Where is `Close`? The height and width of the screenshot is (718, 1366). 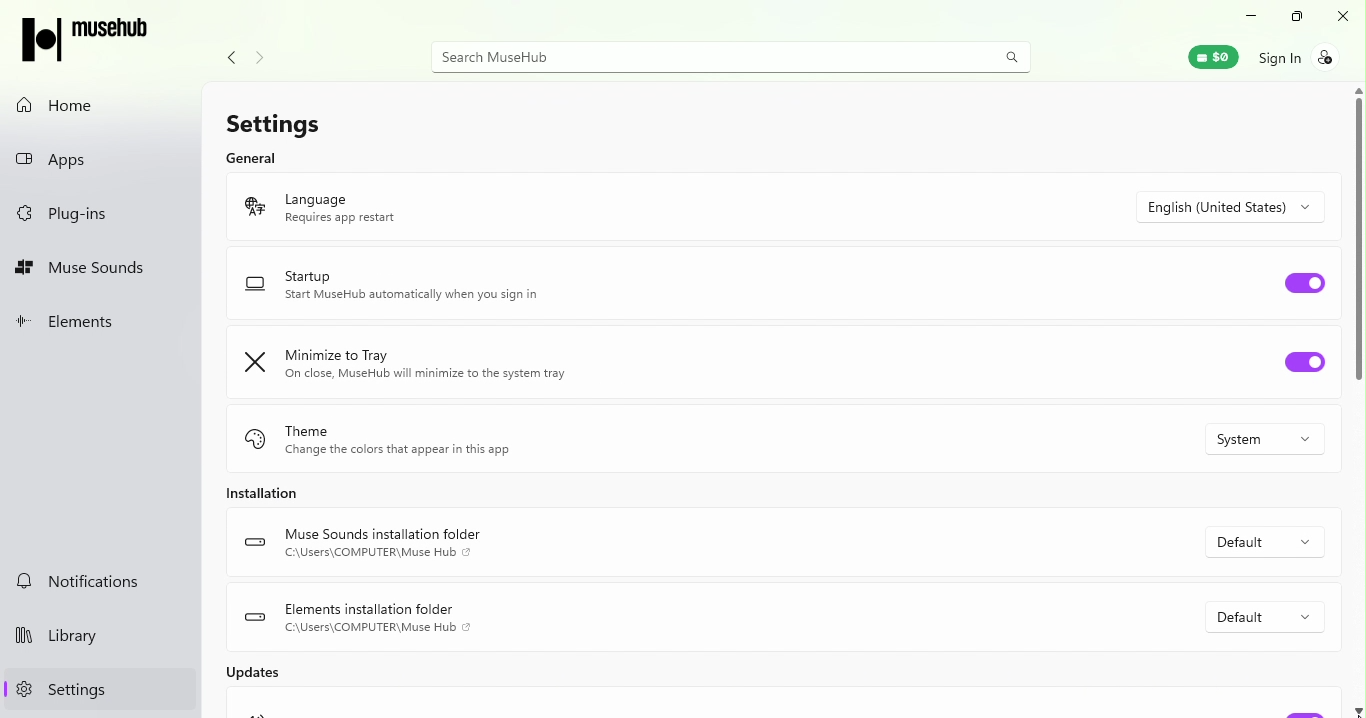 Close is located at coordinates (1347, 15).